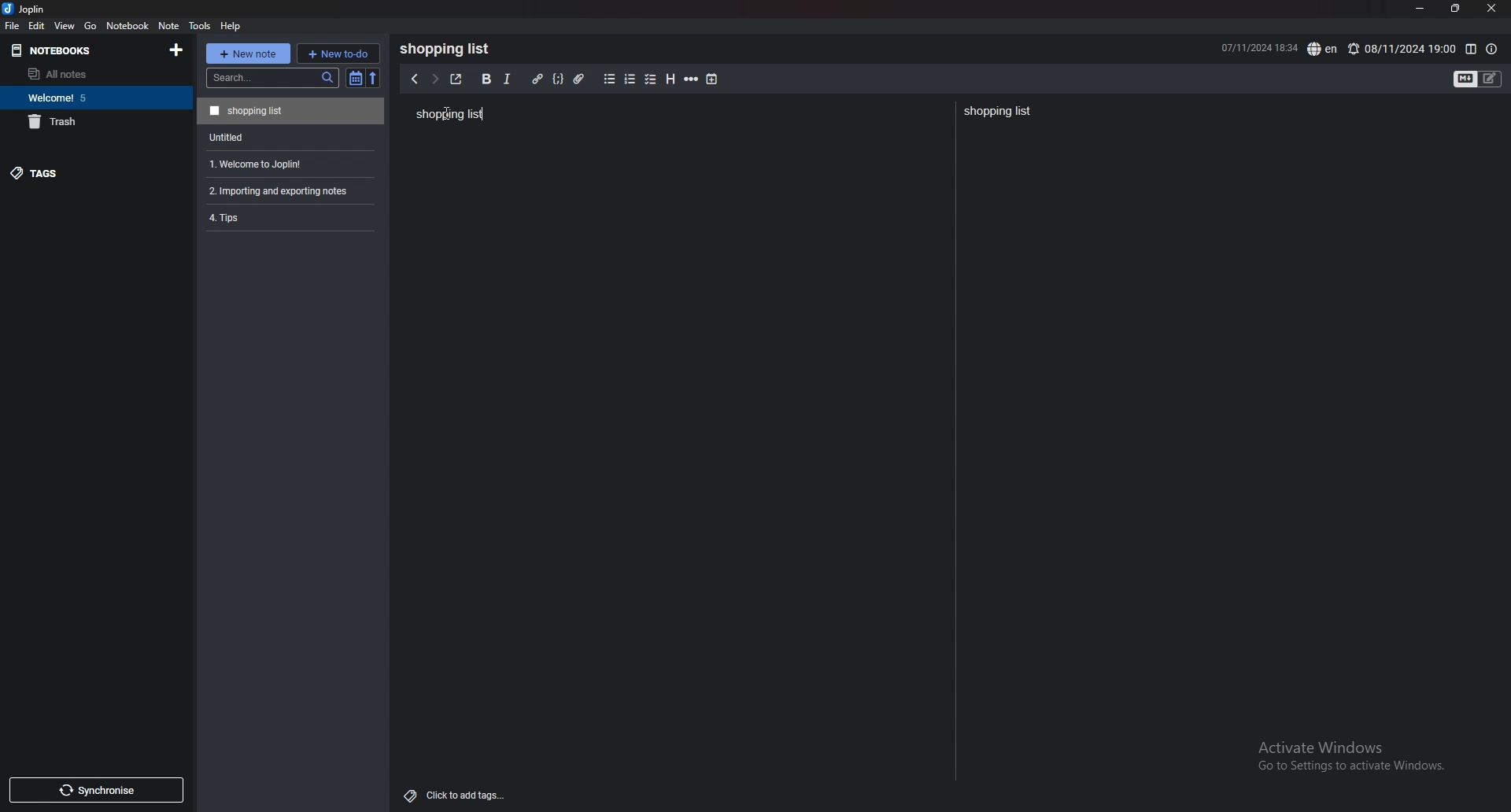  Describe the element at coordinates (13, 26) in the screenshot. I see `file` at that location.